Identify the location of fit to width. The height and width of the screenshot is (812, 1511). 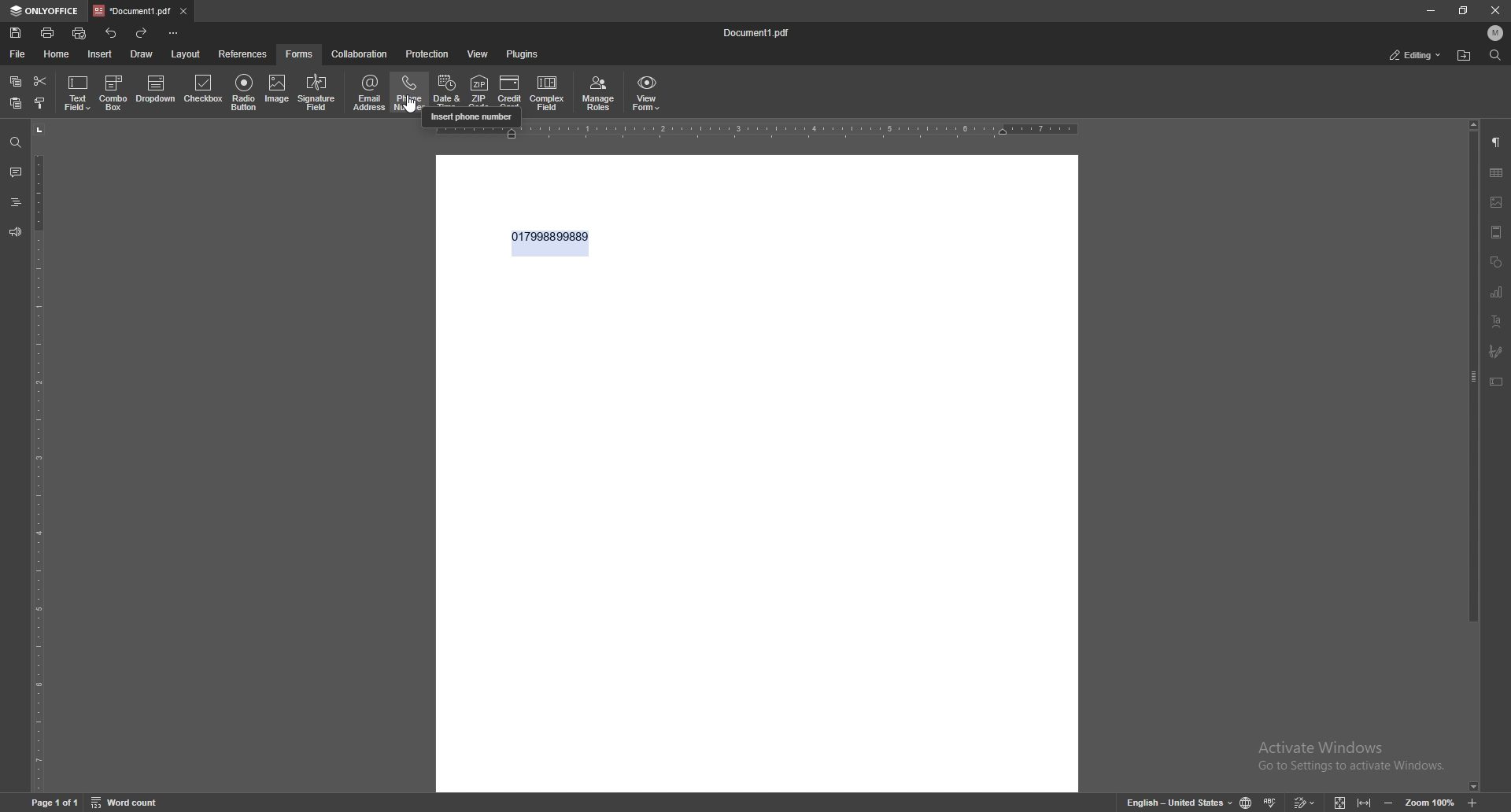
(1366, 803).